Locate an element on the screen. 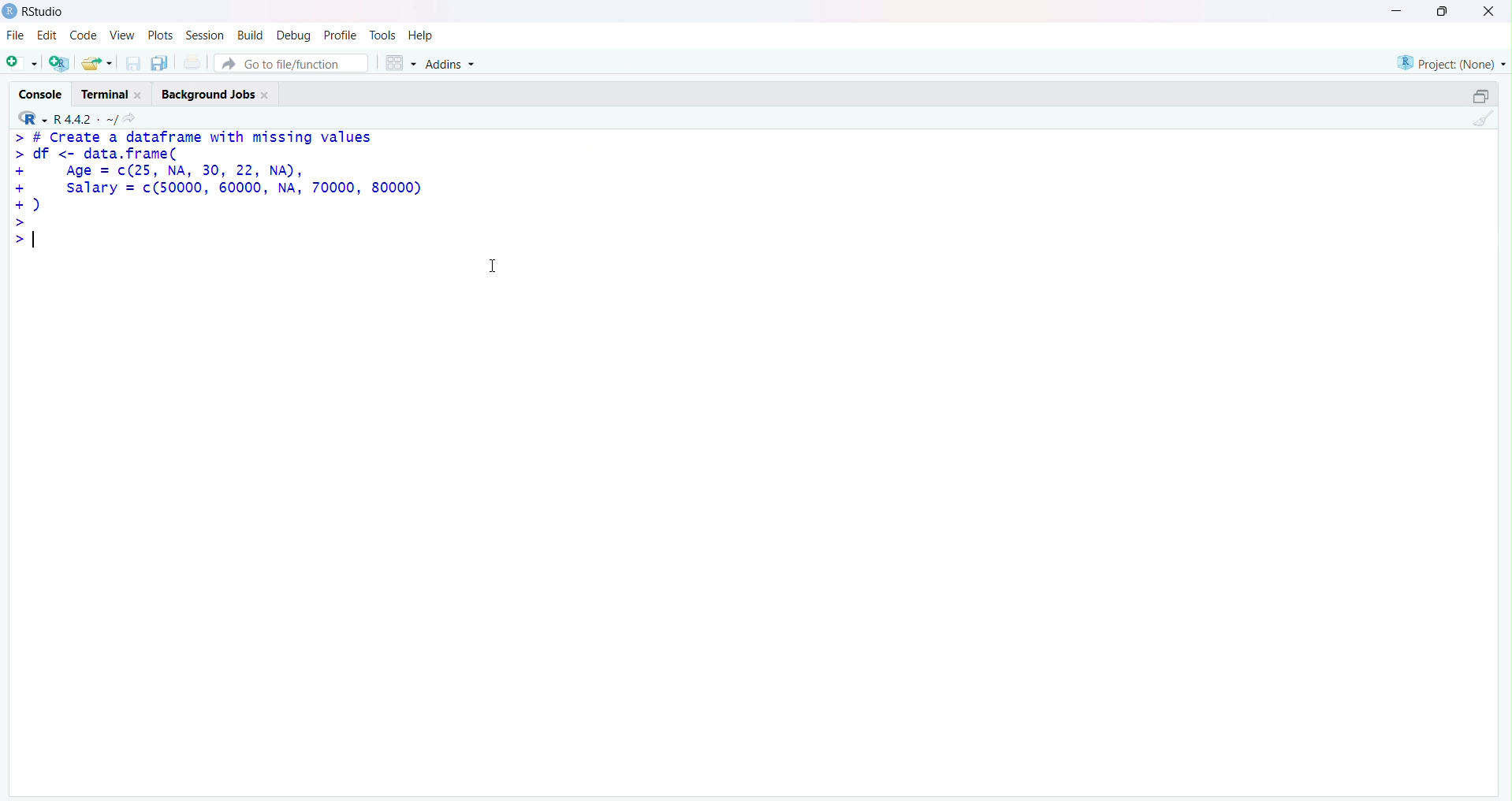 Image resolution: width=1512 pixels, height=801 pixels. R is located at coordinates (30, 117).